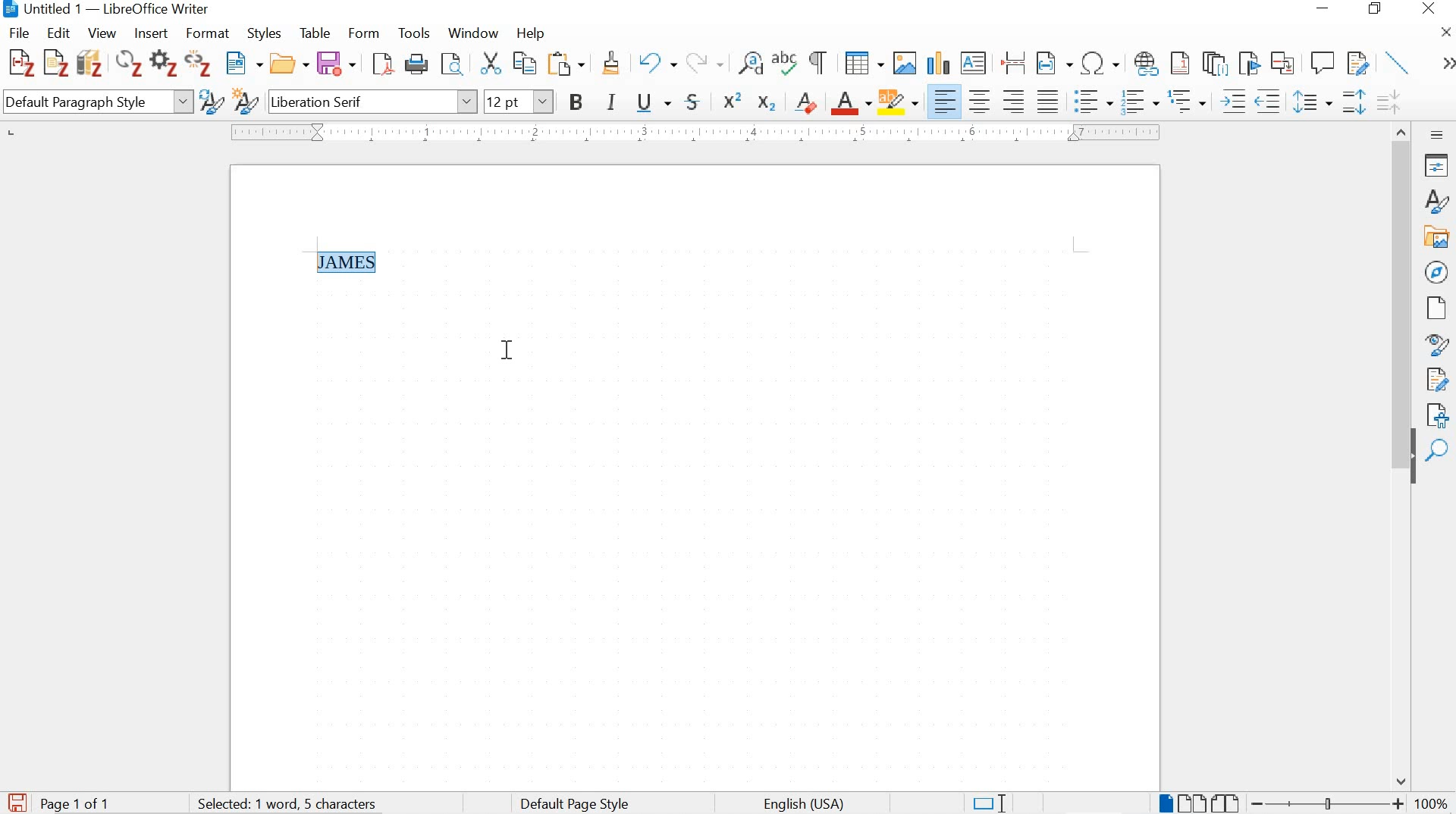  What do you see at coordinates (899, 101) in the screenshot?
I see `character highlighting color` at bounding box center [899, 101].